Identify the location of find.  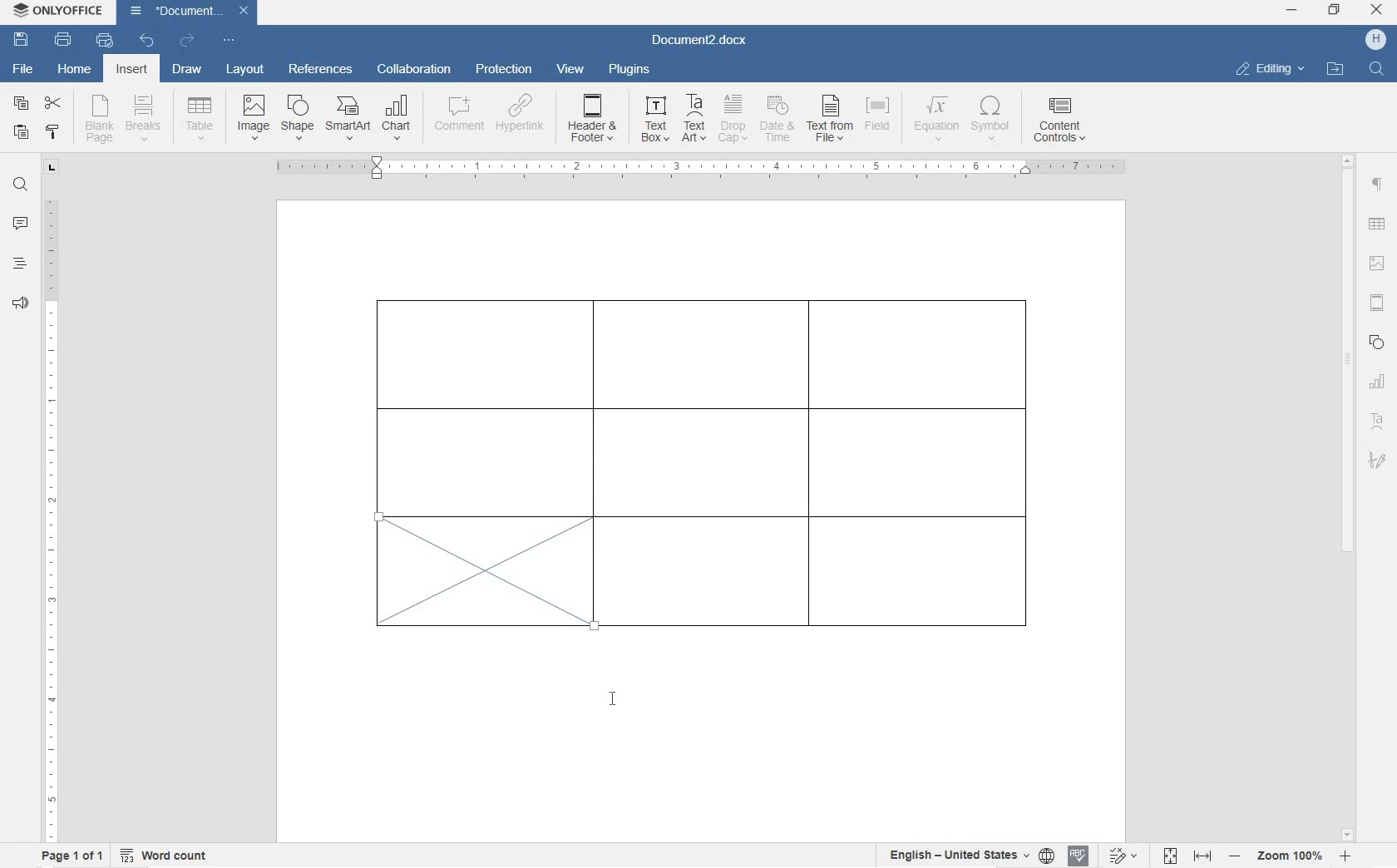
(22, 186).